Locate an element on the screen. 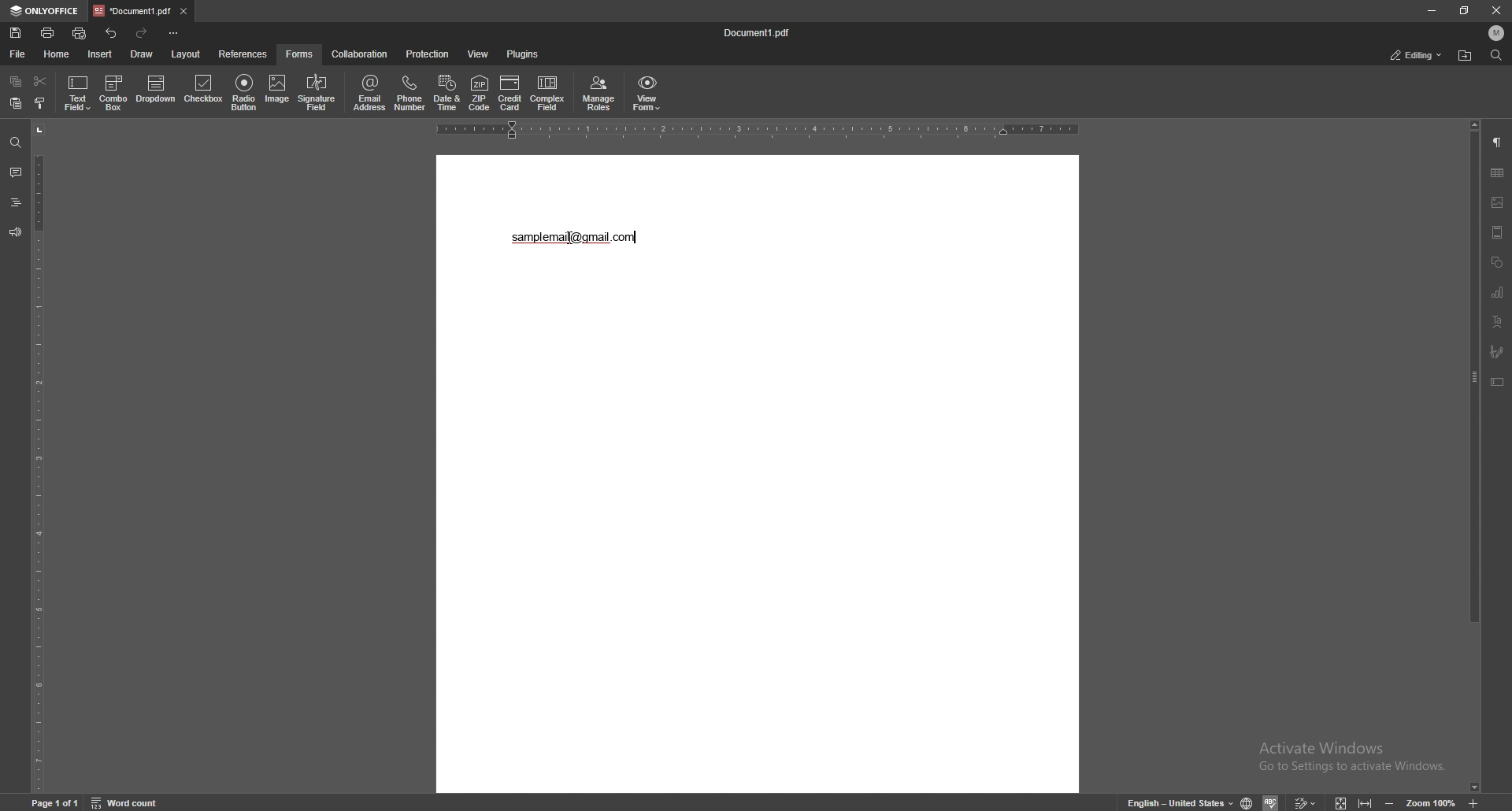 This screenshot has height=811, width=1512. text box is located at coordinates (1499, 382).